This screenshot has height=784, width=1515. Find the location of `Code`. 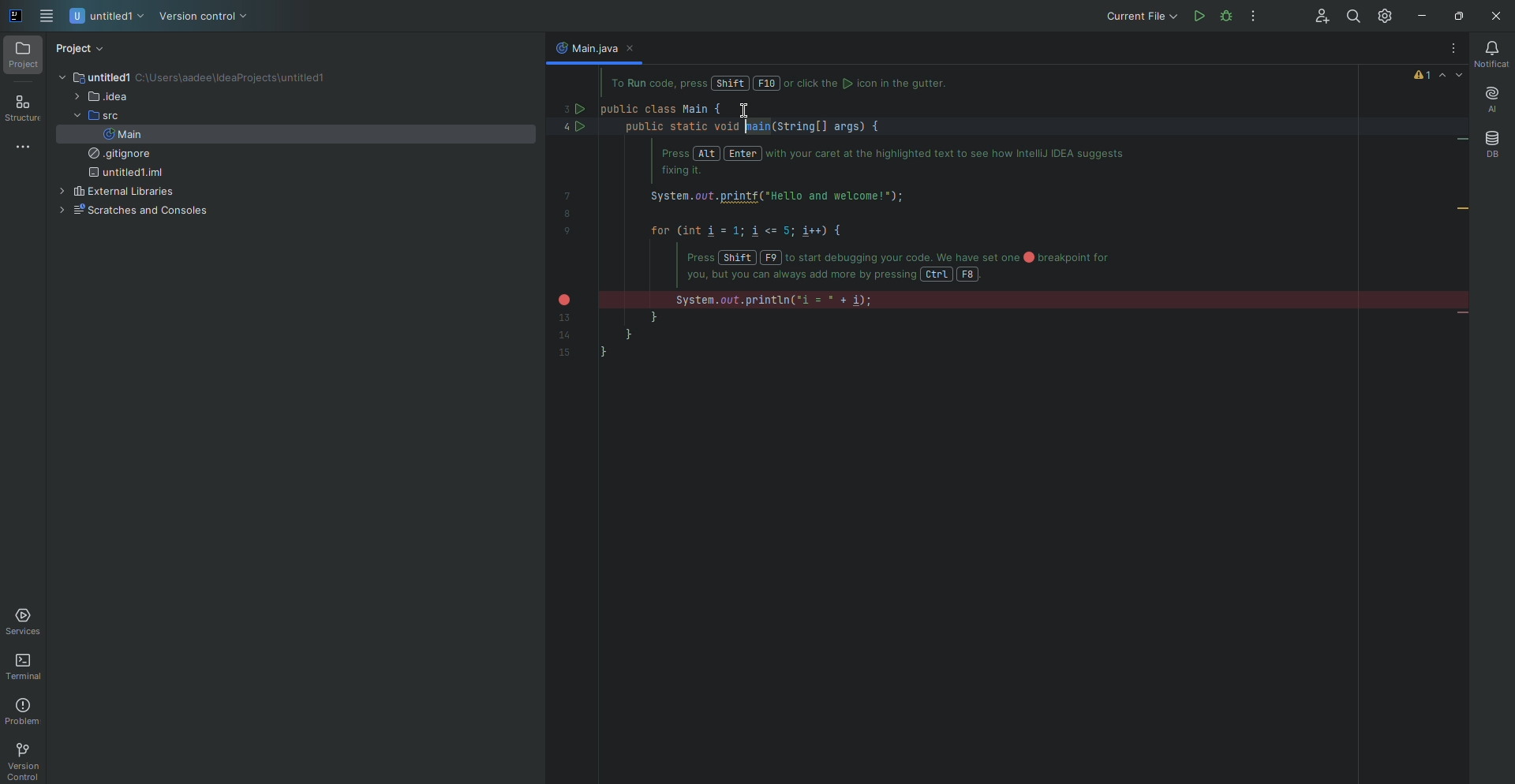

Code is located at coordinates (866, 234).